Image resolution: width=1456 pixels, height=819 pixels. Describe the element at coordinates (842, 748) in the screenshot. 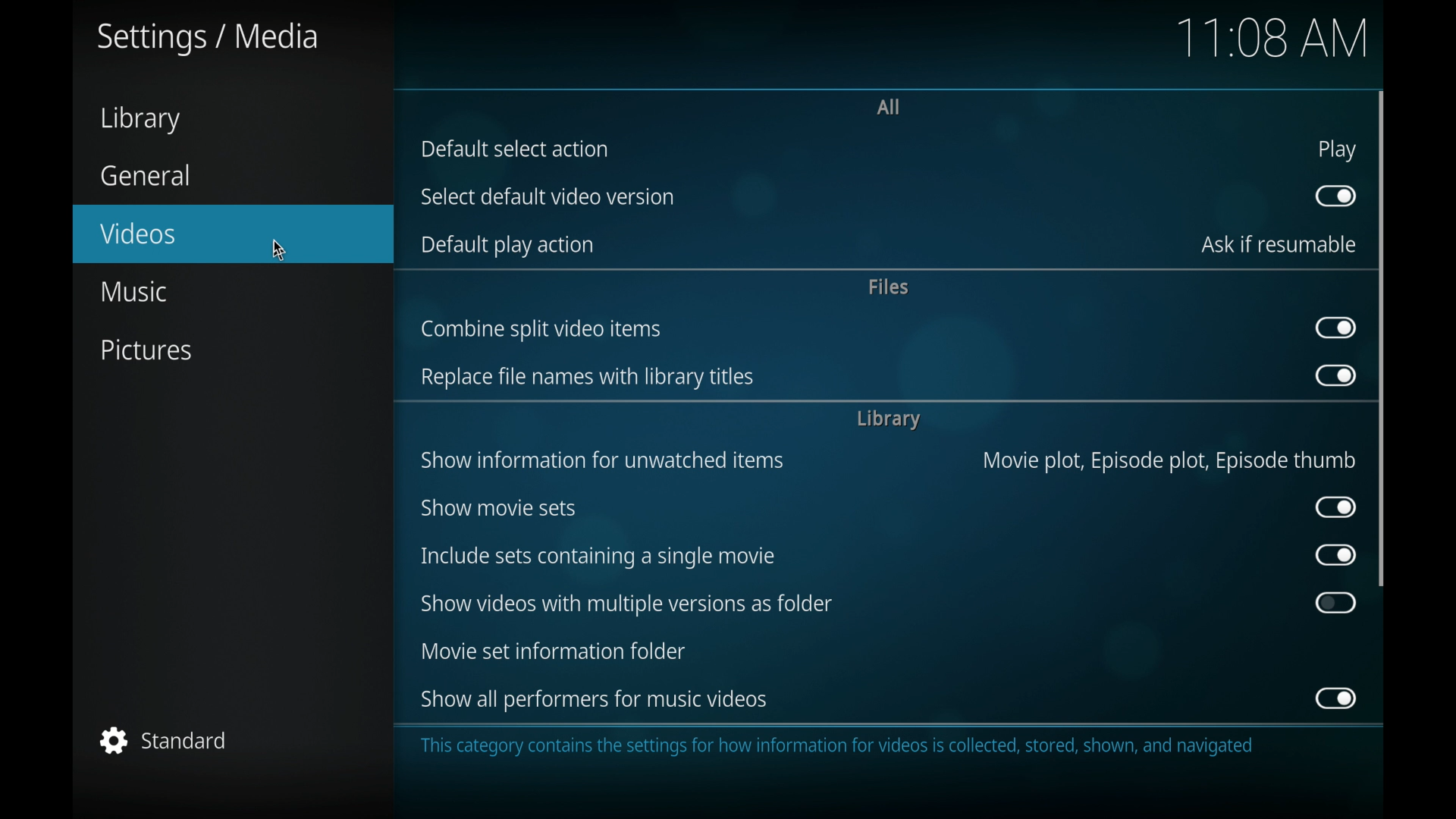

I see `This category contains the settings for how information for videos is collected, stored, shown, and navigated` at that location.